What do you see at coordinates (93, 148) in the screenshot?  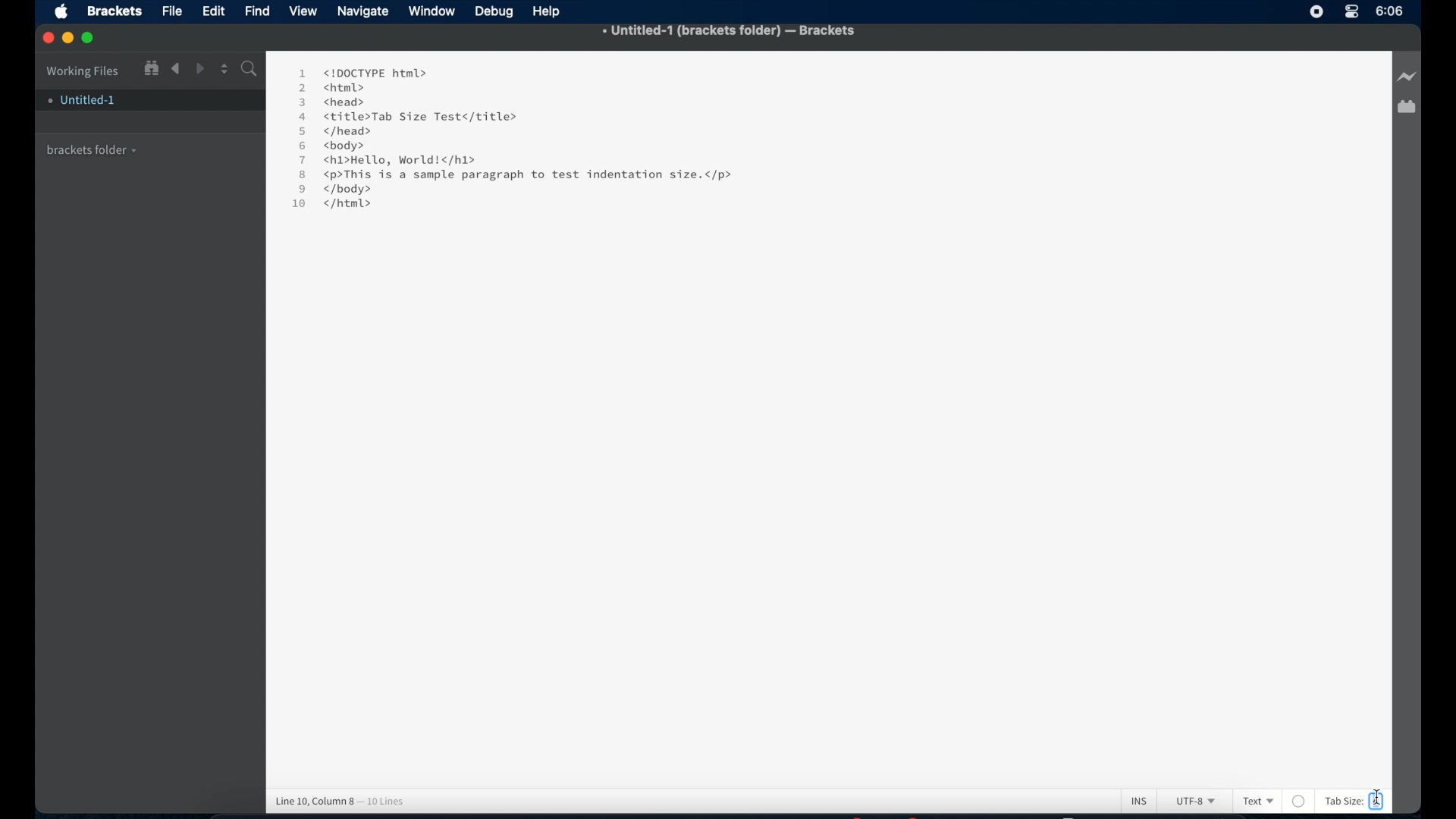 I see `brackets folder` at bounding box center [93, 148].